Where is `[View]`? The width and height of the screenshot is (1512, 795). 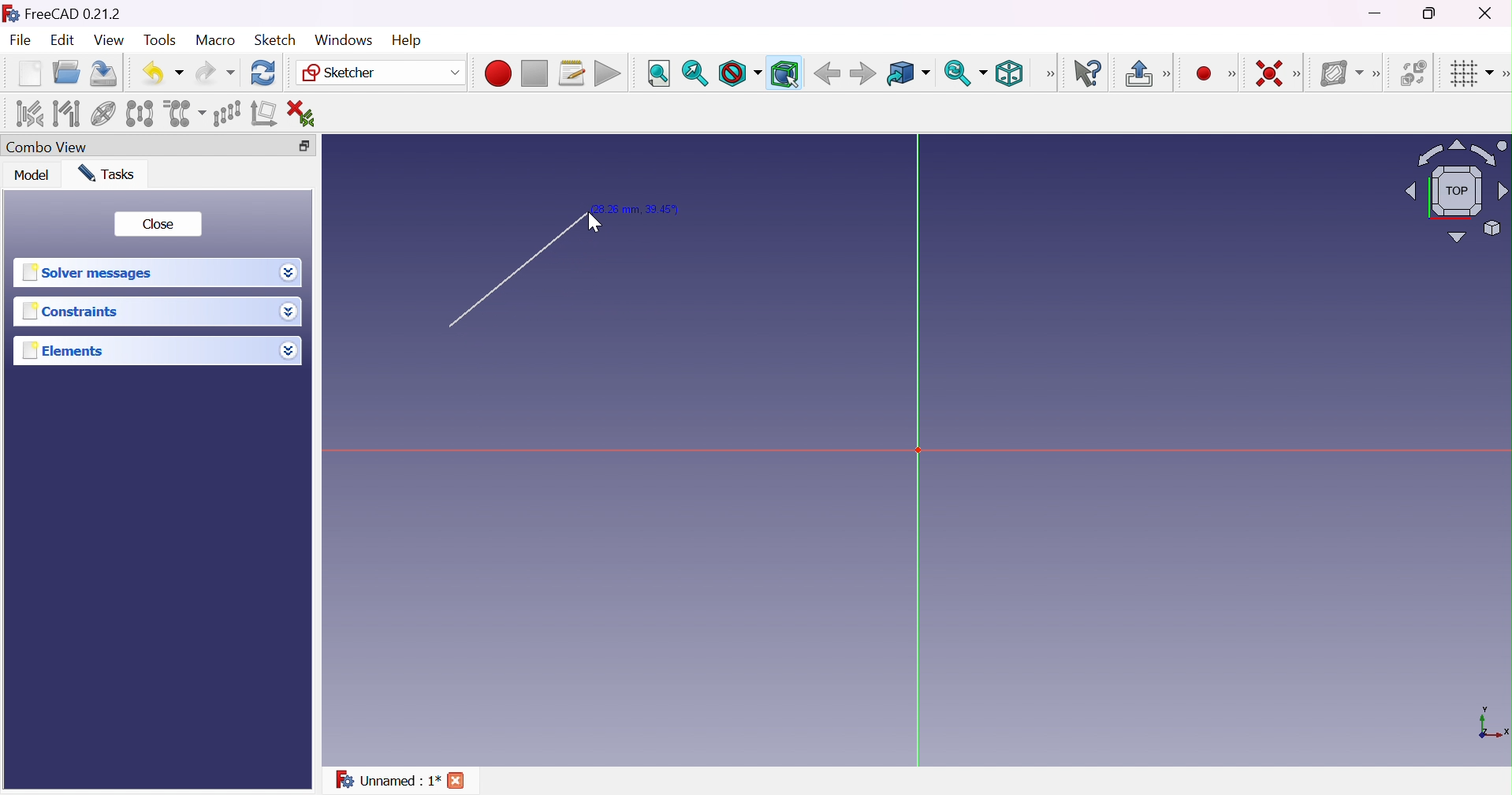 [View] is located at coordinates (1050, 73).